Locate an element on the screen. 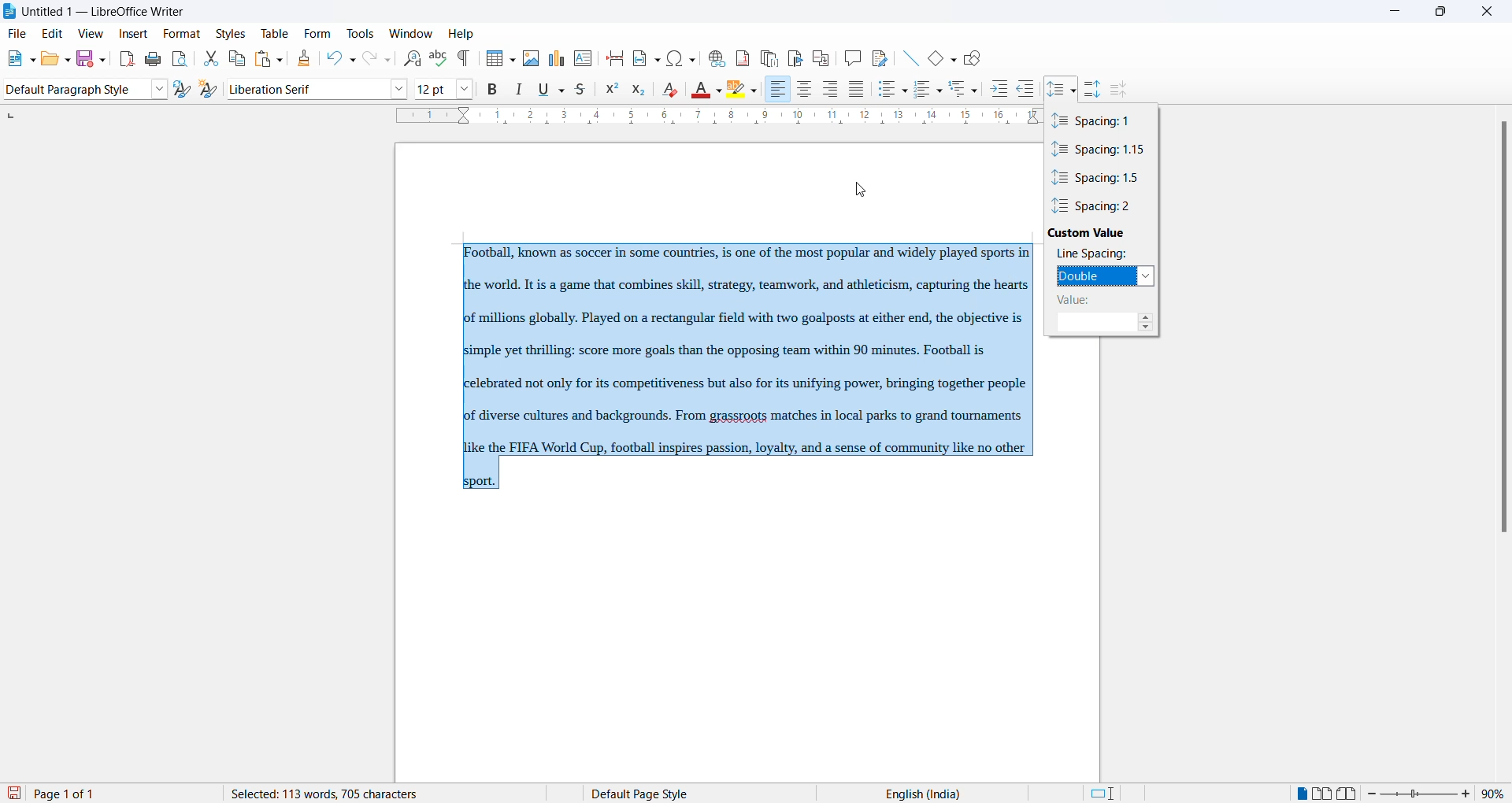 The width and height of the screenshot is (1512, 803). open file is located at coordinates (46, 60).